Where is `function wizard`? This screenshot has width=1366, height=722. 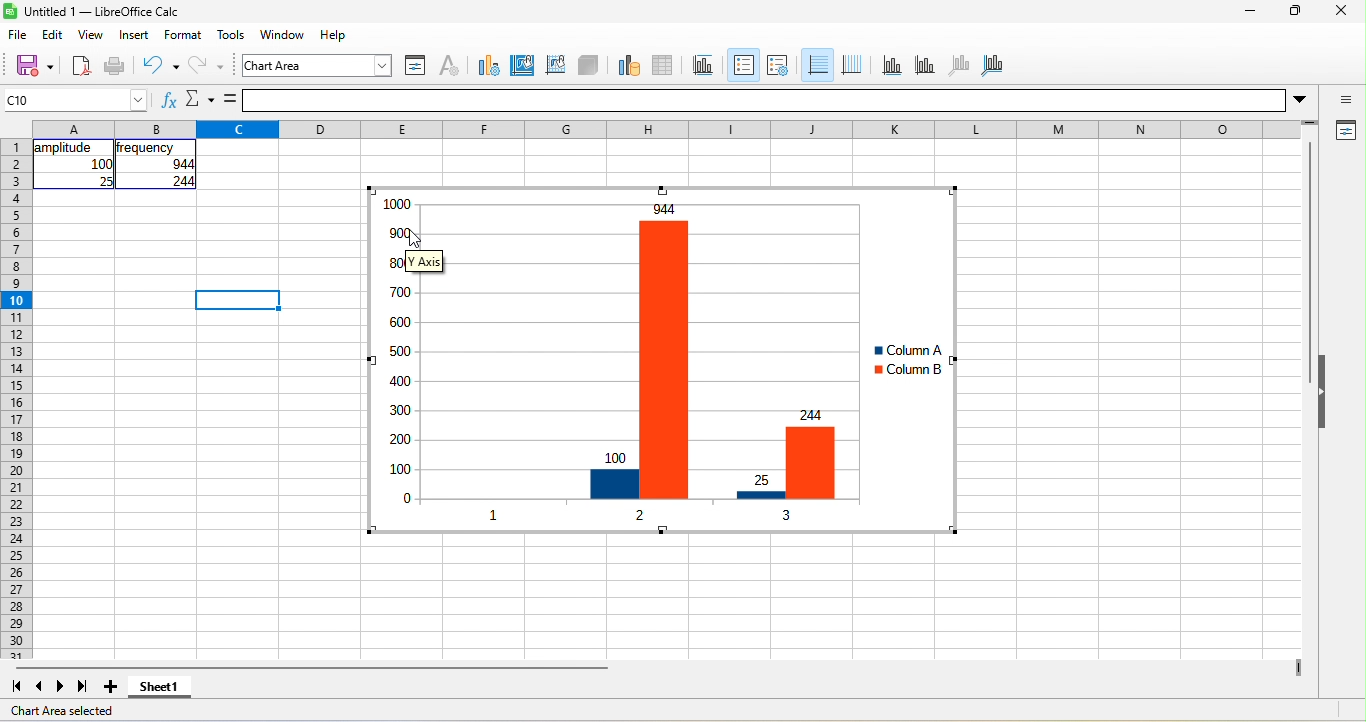 function wizard is located at coordinates (167, 103).